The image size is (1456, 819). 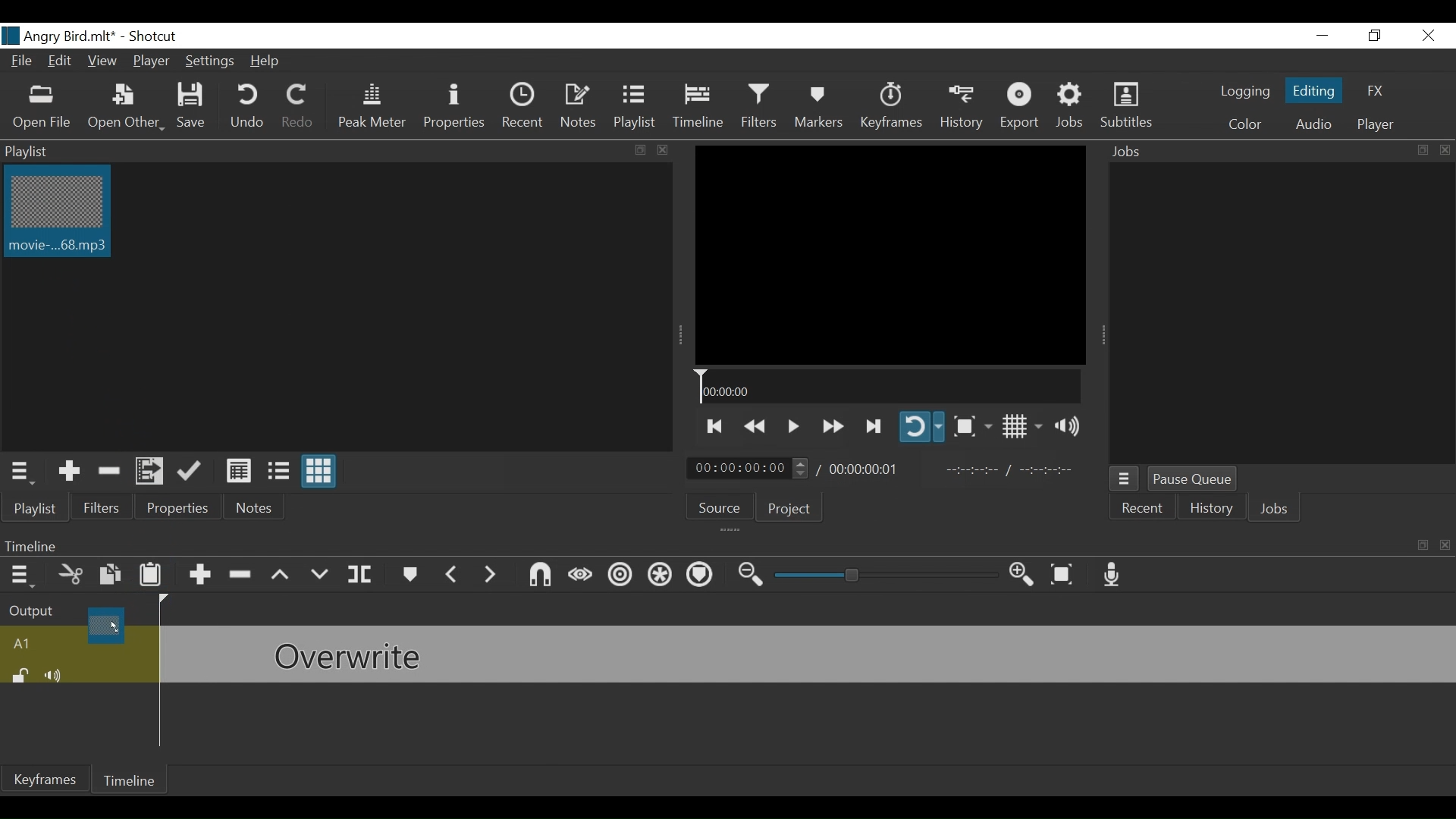 What do you see at coordinates (759, 106) in the screenshot?
I see `Filters` at bounding box center [759, 106].